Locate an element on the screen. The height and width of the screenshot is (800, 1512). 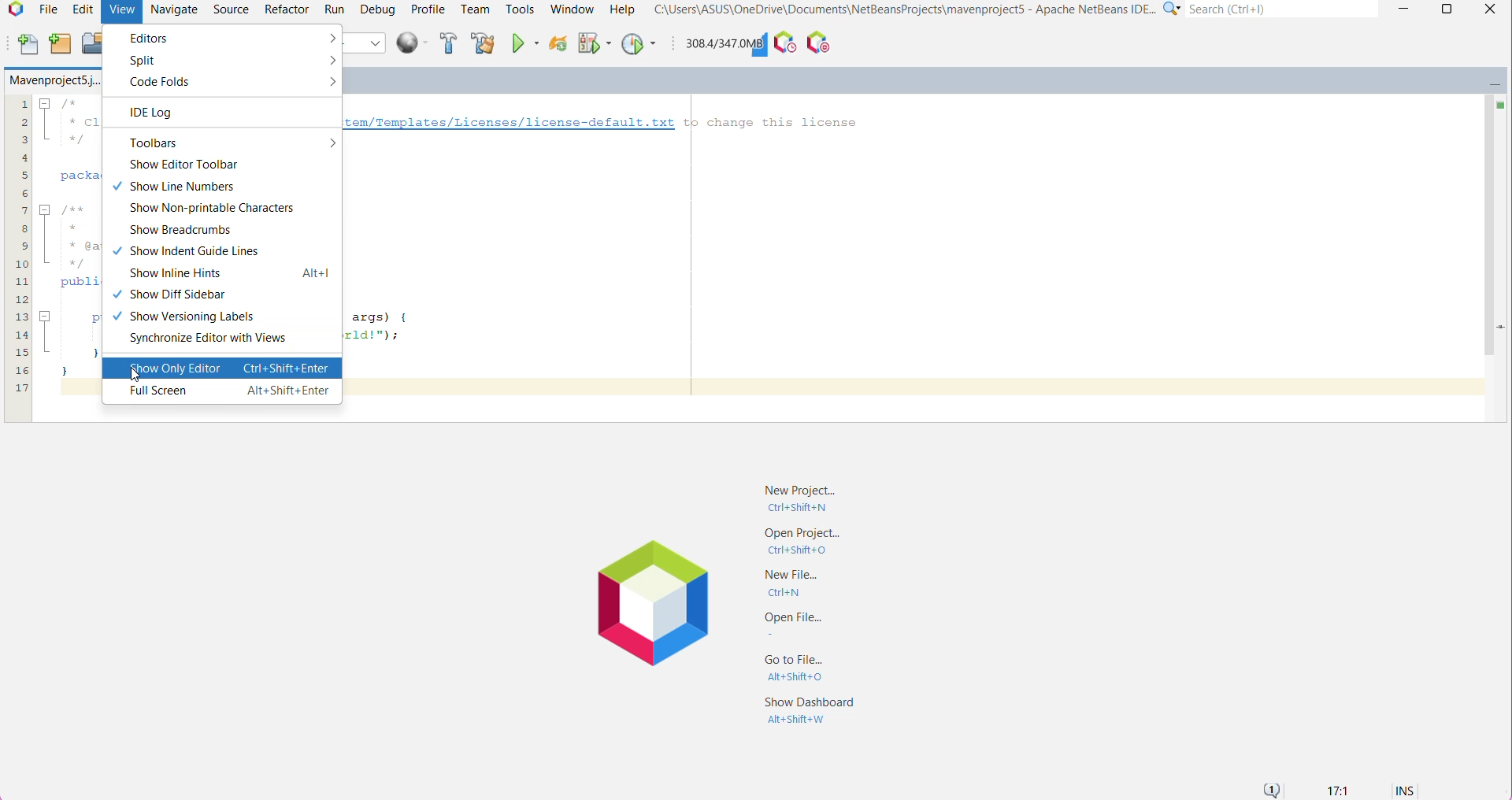
Team is located at coordinates (476, 9).